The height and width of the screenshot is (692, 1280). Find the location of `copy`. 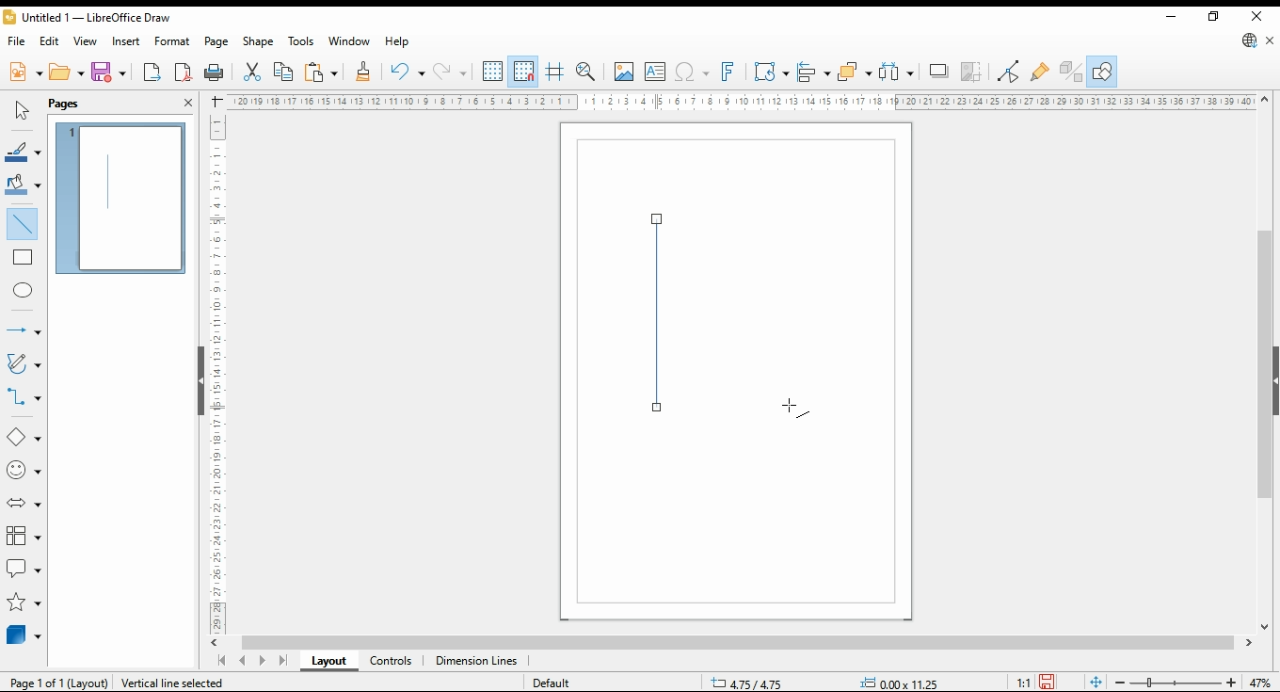

copy is located at coordinates (283, 72).